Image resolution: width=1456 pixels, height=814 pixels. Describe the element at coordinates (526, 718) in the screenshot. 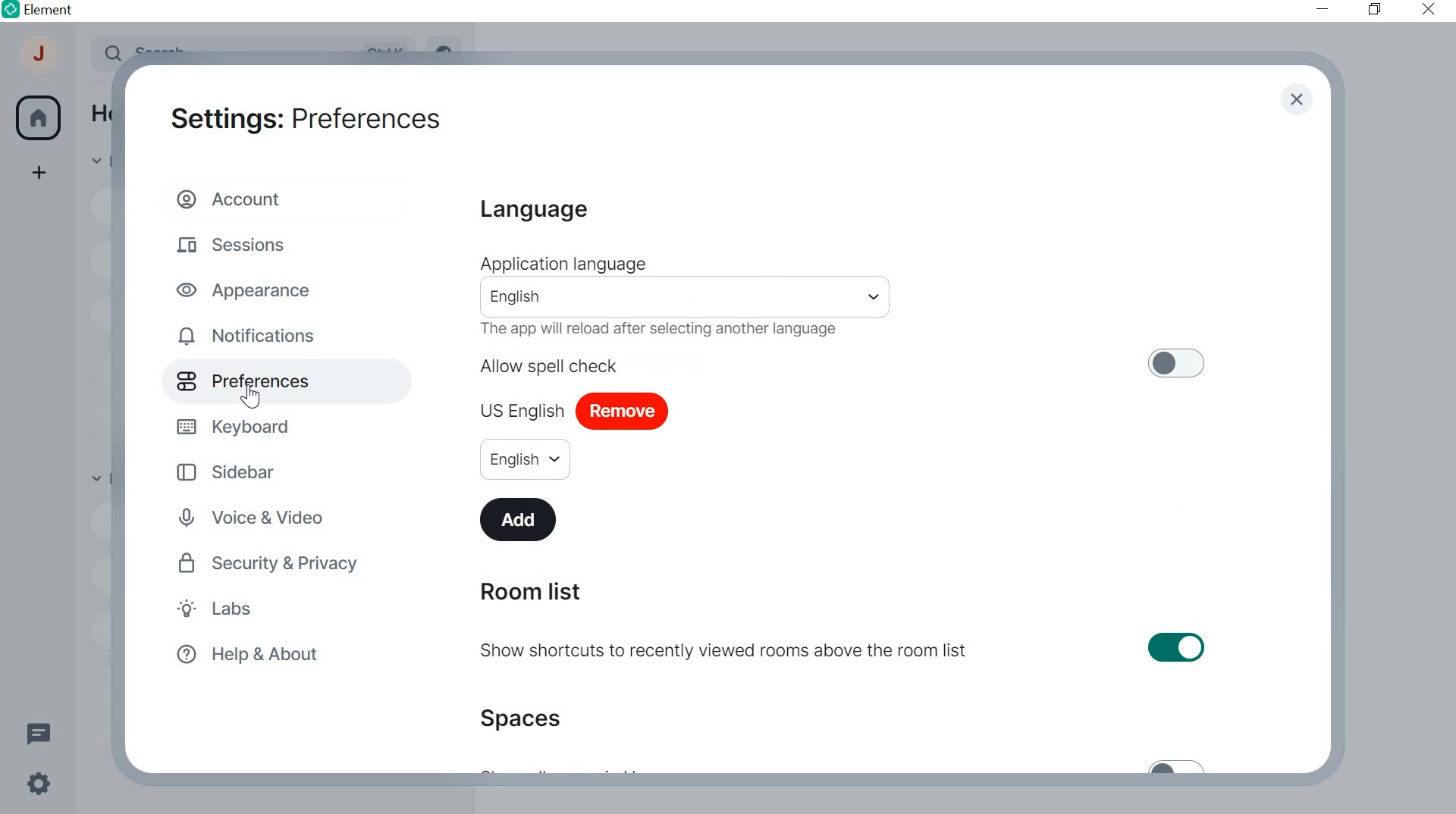

I see `Spaces` at that location.